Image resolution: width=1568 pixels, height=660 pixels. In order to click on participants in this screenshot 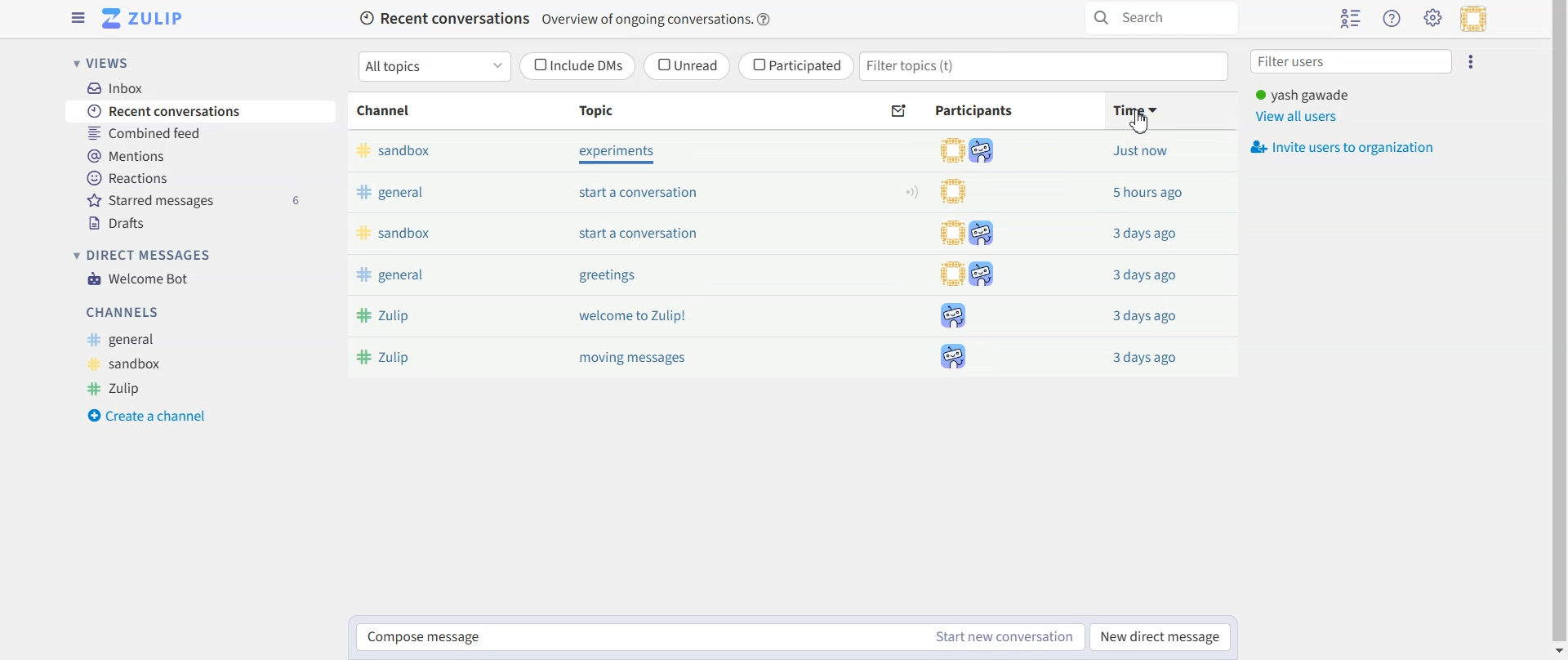, I will do `click(963, 272)`.